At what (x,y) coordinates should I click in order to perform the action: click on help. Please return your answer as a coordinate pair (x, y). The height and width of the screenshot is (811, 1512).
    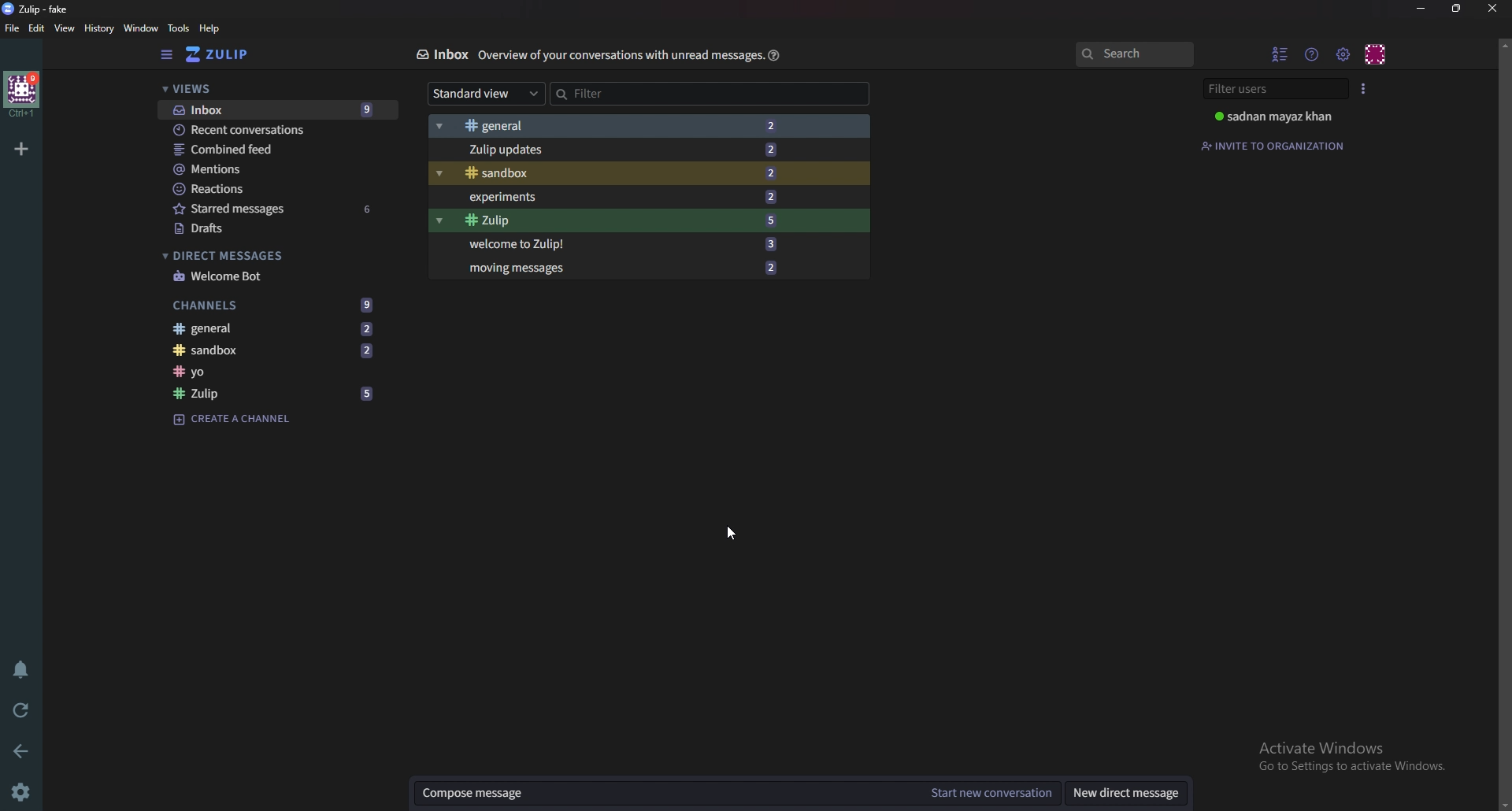
    Looking at the image, I should click on (209, 29).